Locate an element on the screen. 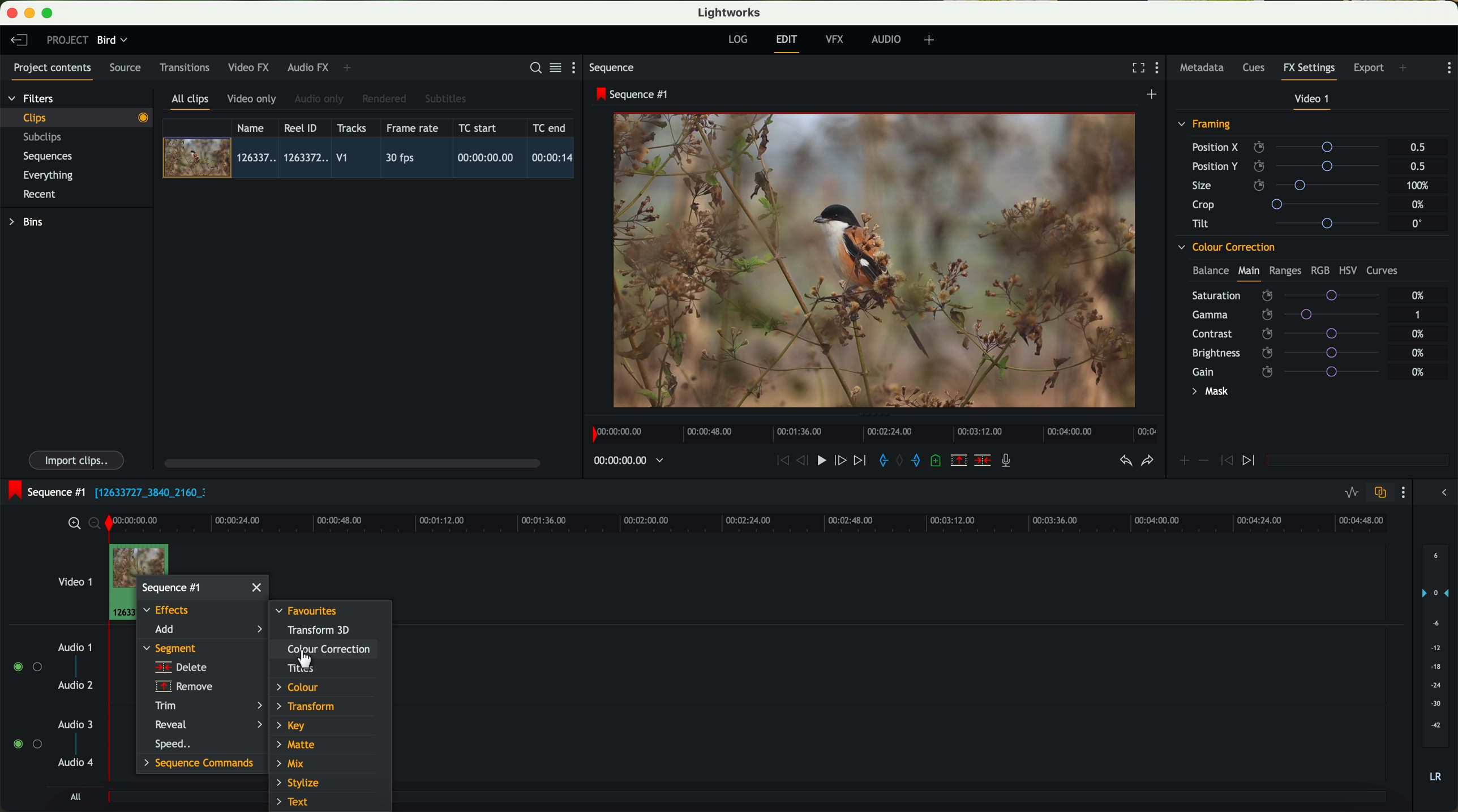  rewind is located at coordinates (782, 461).